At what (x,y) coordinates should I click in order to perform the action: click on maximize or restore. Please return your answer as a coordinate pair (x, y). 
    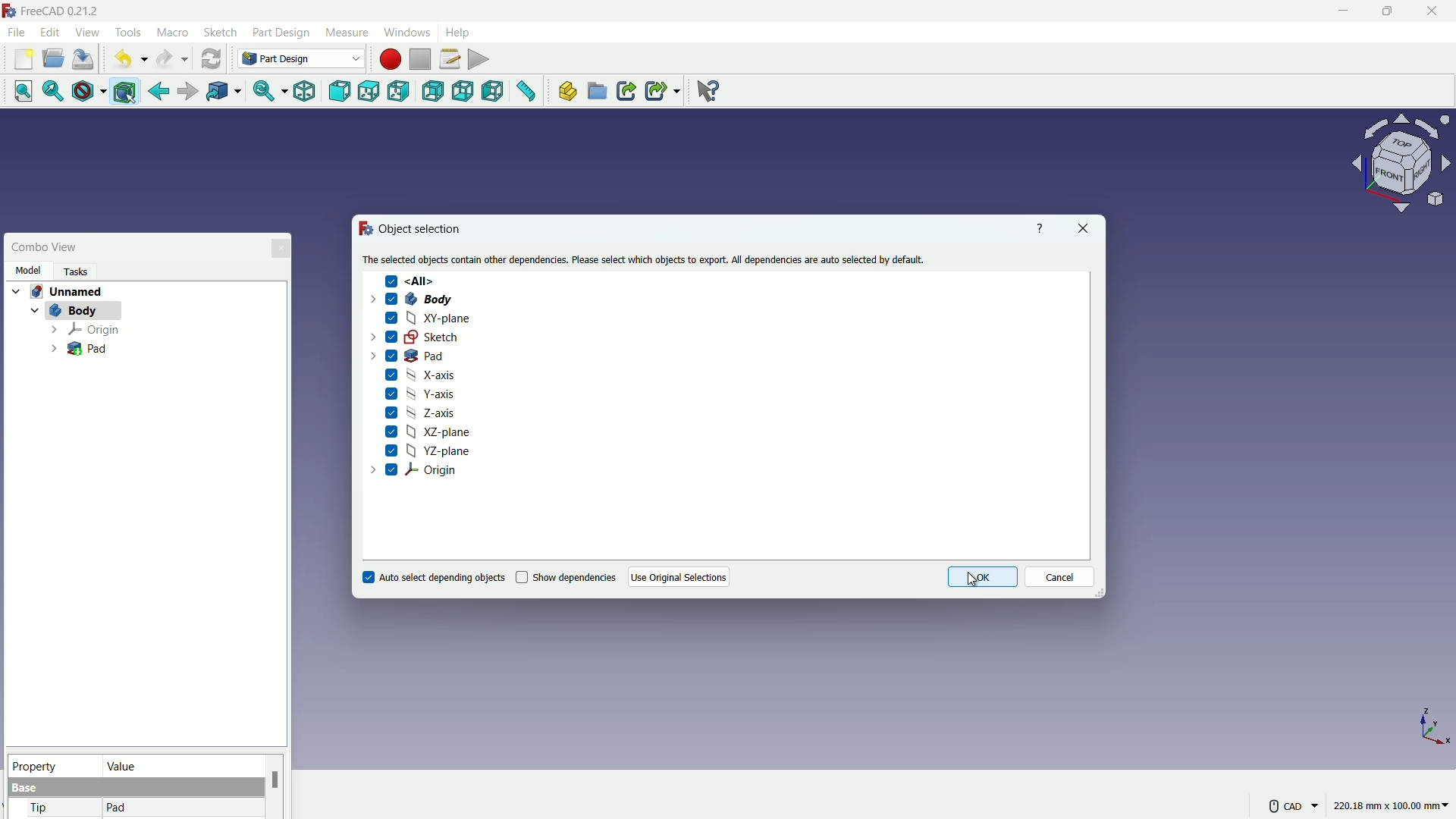
    Looking at the image, I should click on (1385, 11).